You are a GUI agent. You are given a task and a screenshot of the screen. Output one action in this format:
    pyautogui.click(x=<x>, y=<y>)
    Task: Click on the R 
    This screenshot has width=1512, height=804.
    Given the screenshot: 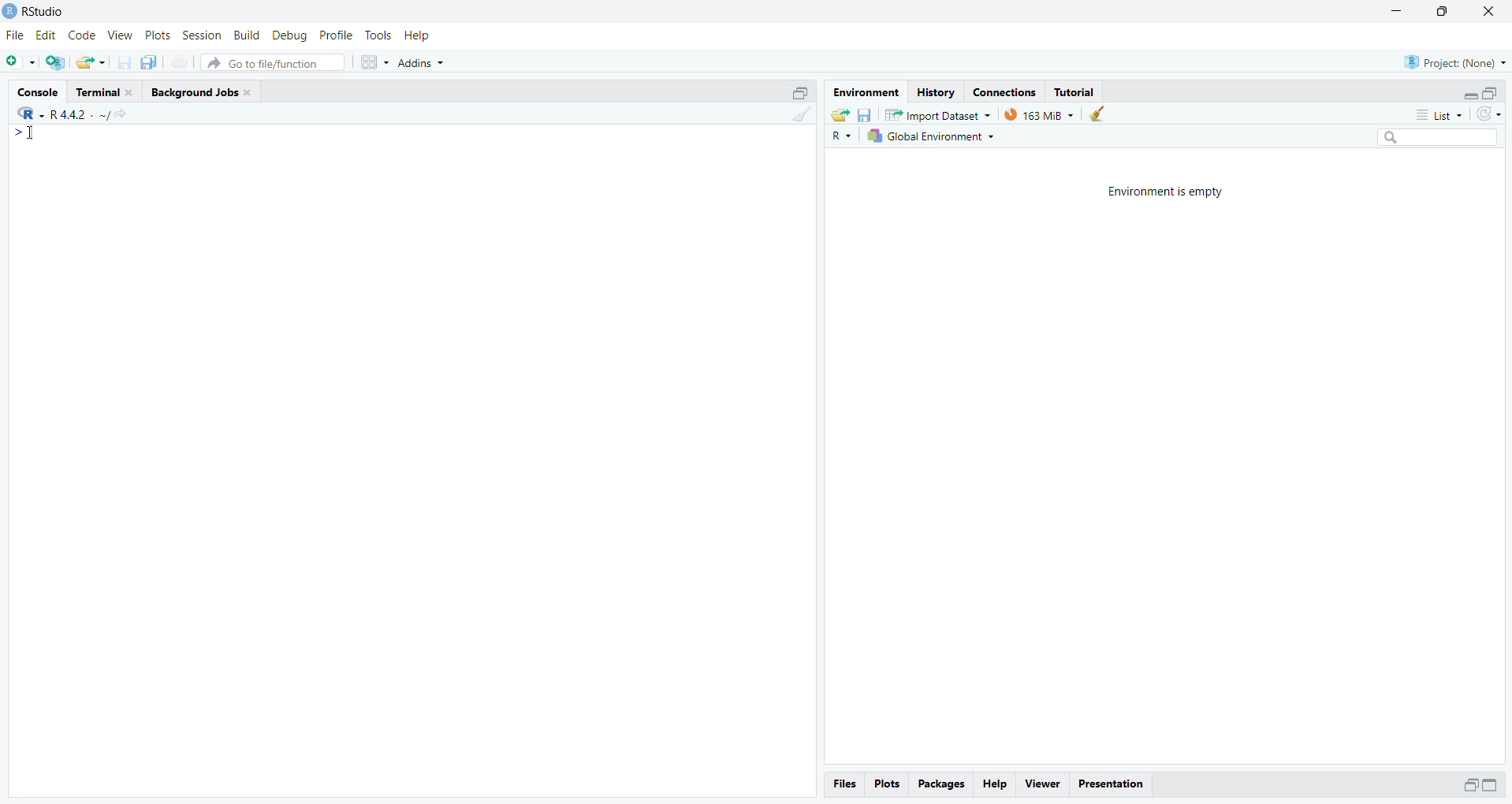 What is the action you would take?
    pyautogui.click(x=32, y=114)
    